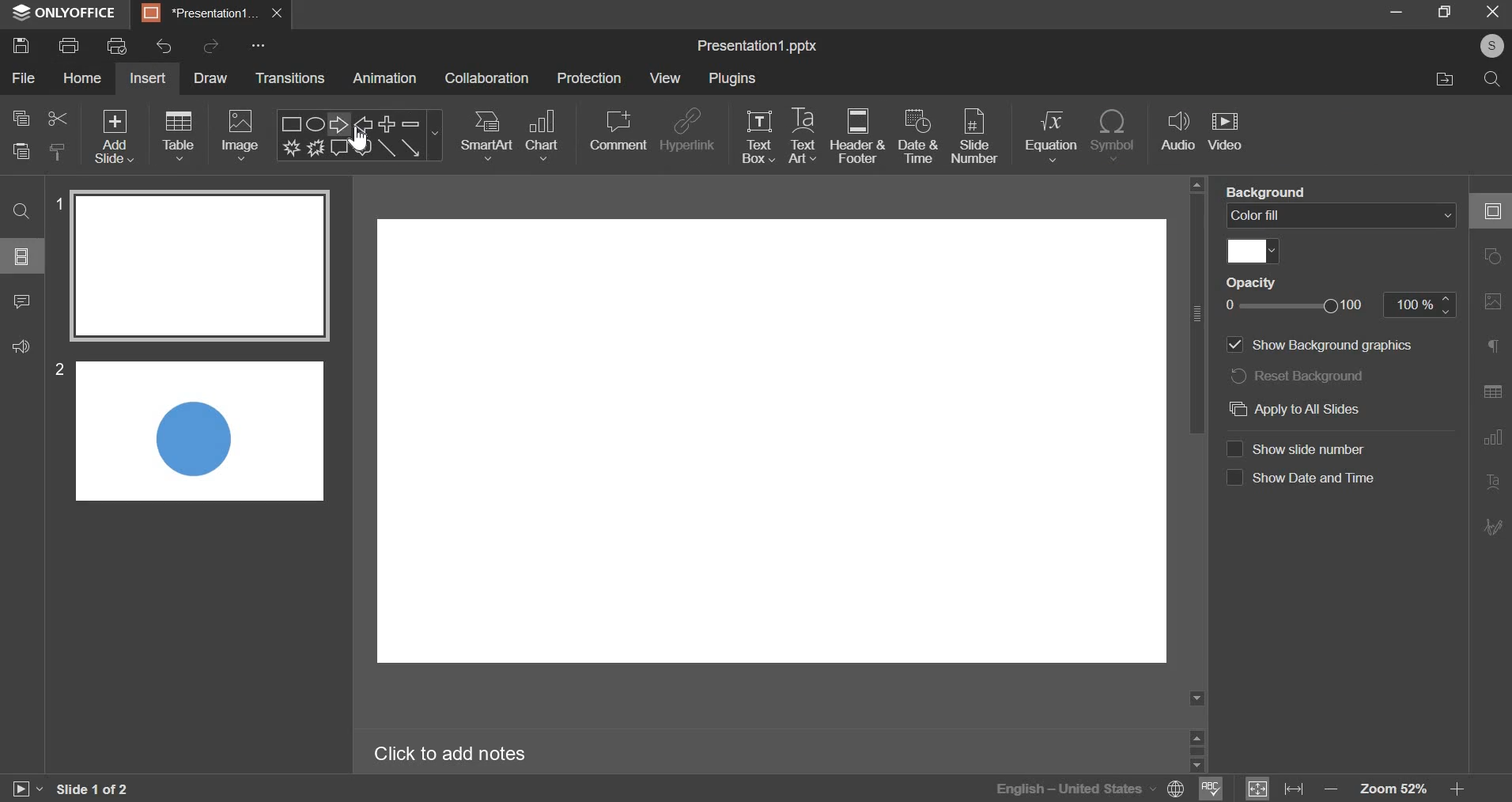 This screenshot has height=802, width=1512. Describe the element at coordinates (22, 46) in the screenshot. I see `save` at that location.